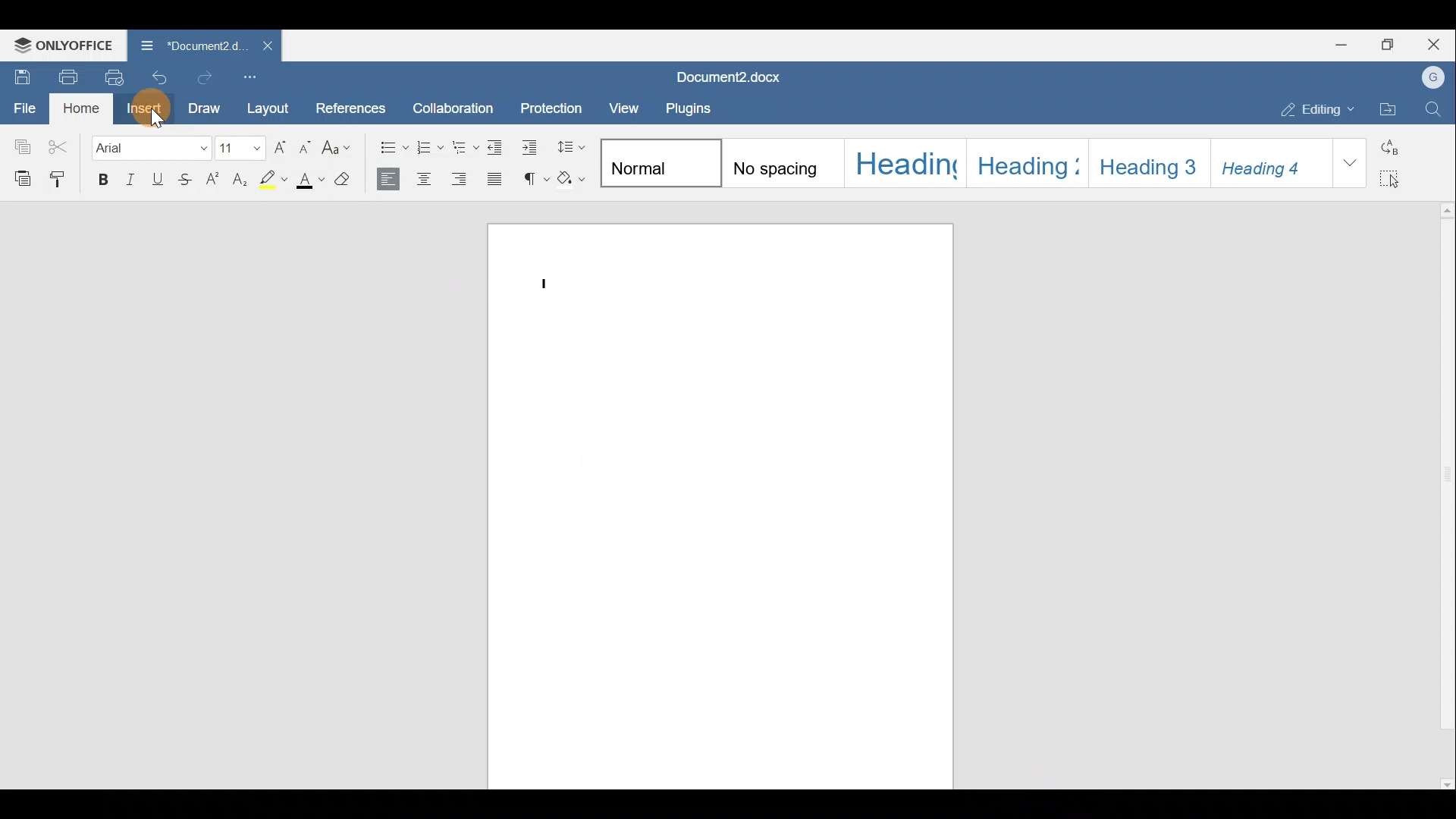  Describe the element at coordinates (392, 145) in the screenshot. I see `Bullets` at that location.